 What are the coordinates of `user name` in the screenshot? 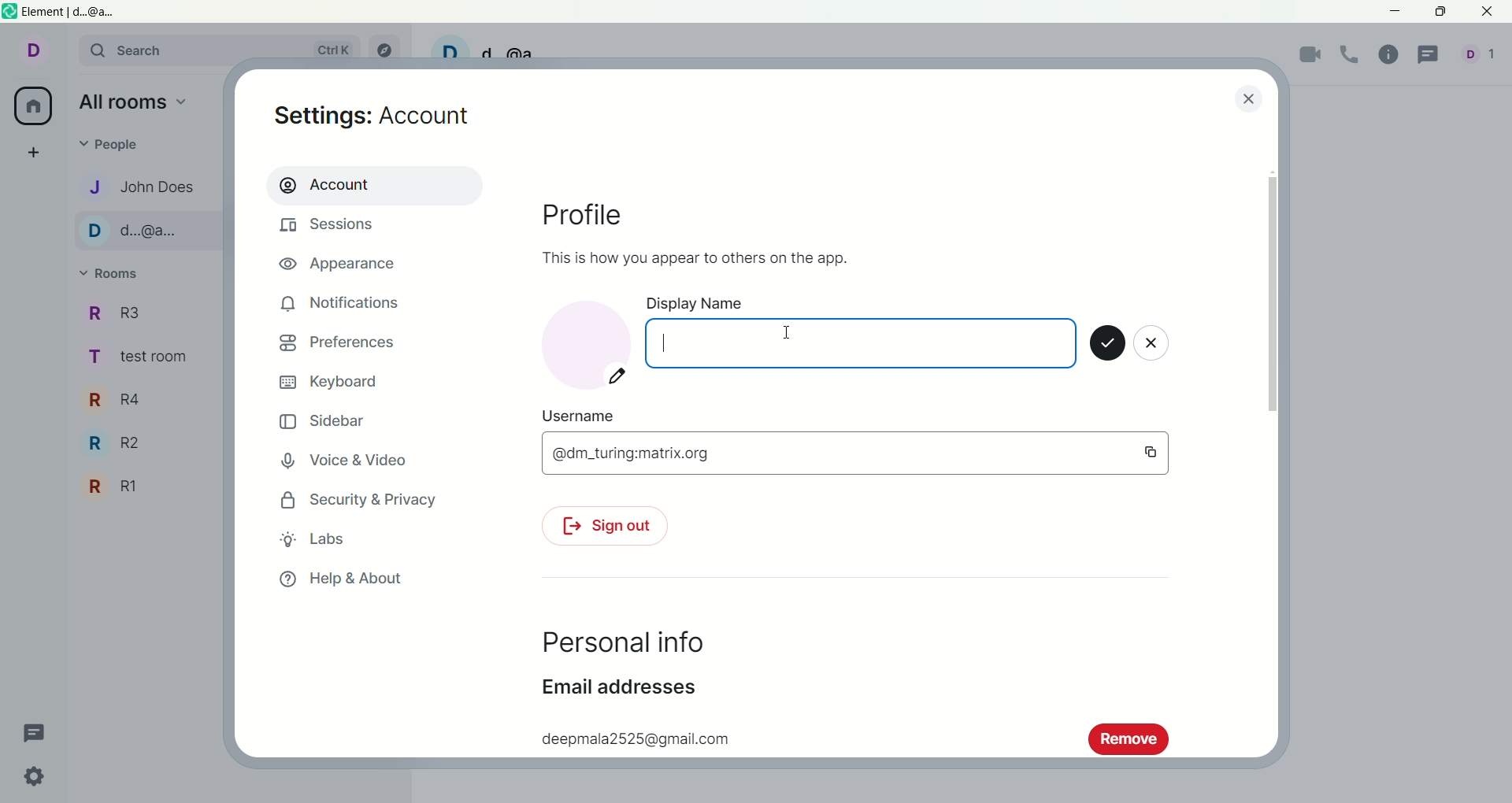 It's located at (612, 416).